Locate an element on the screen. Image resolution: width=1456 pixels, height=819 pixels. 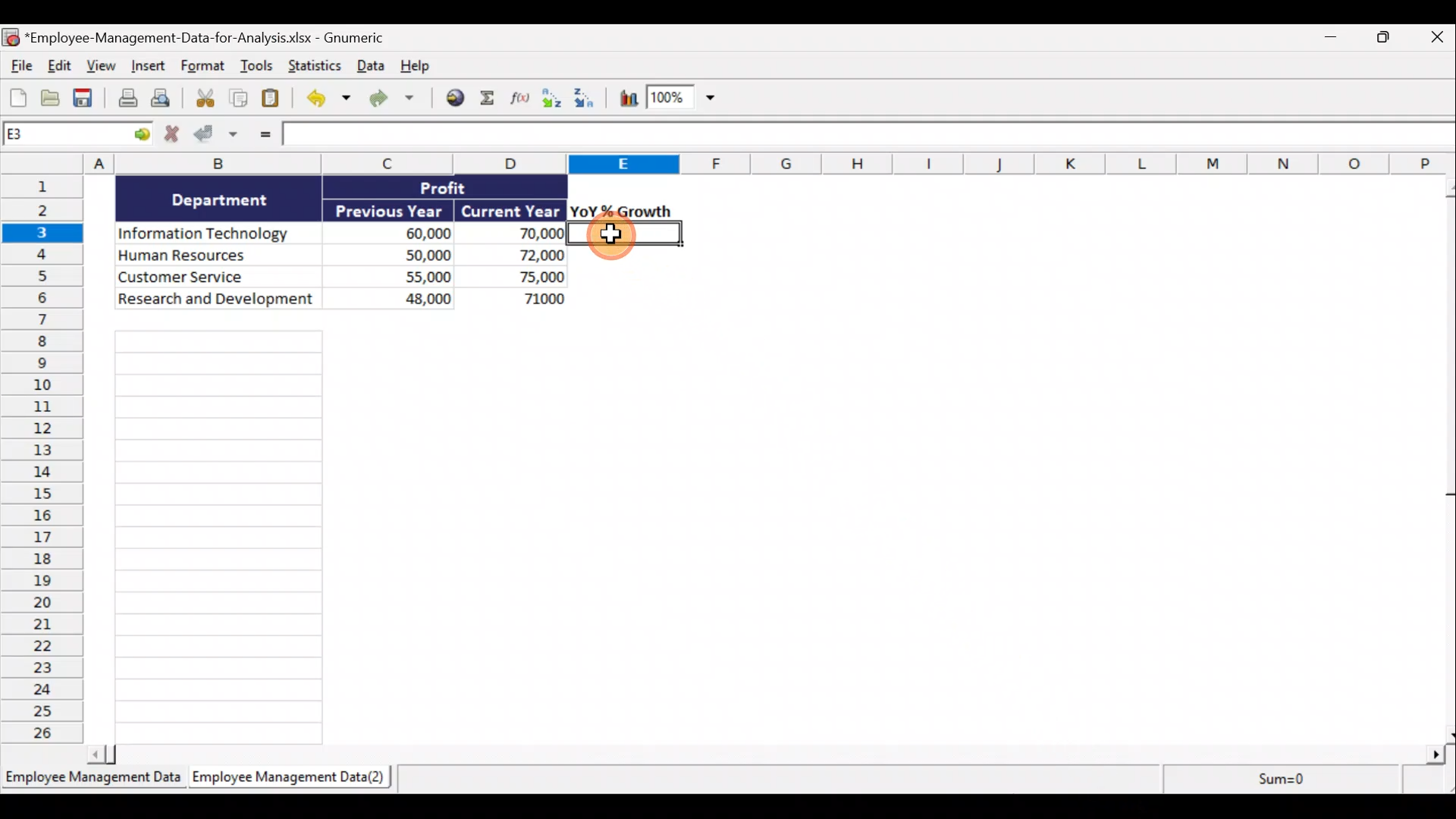
Copy selection is located at coordinates (239, 99).